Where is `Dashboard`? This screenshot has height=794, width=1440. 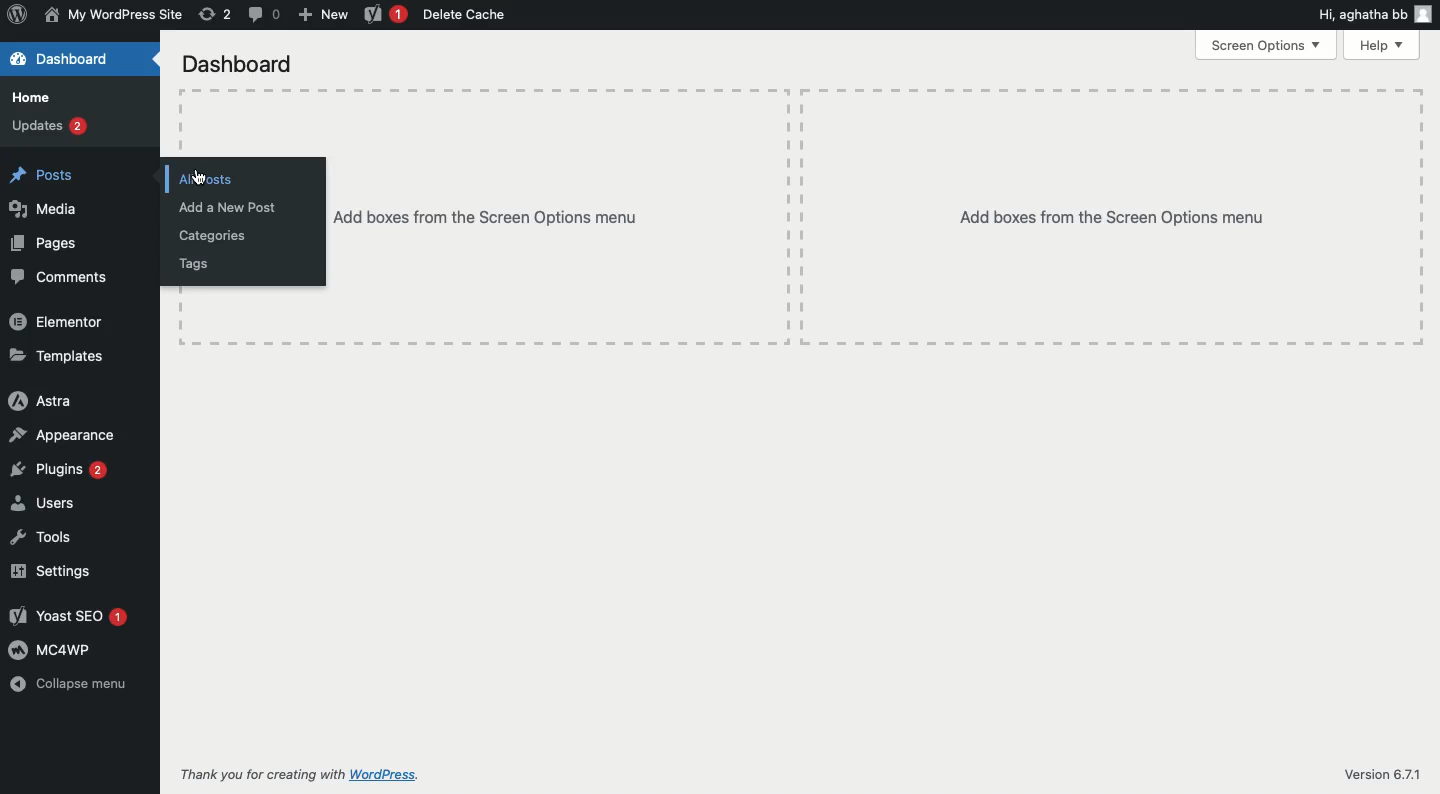
Dashboard is located at coordinates (237, 64).